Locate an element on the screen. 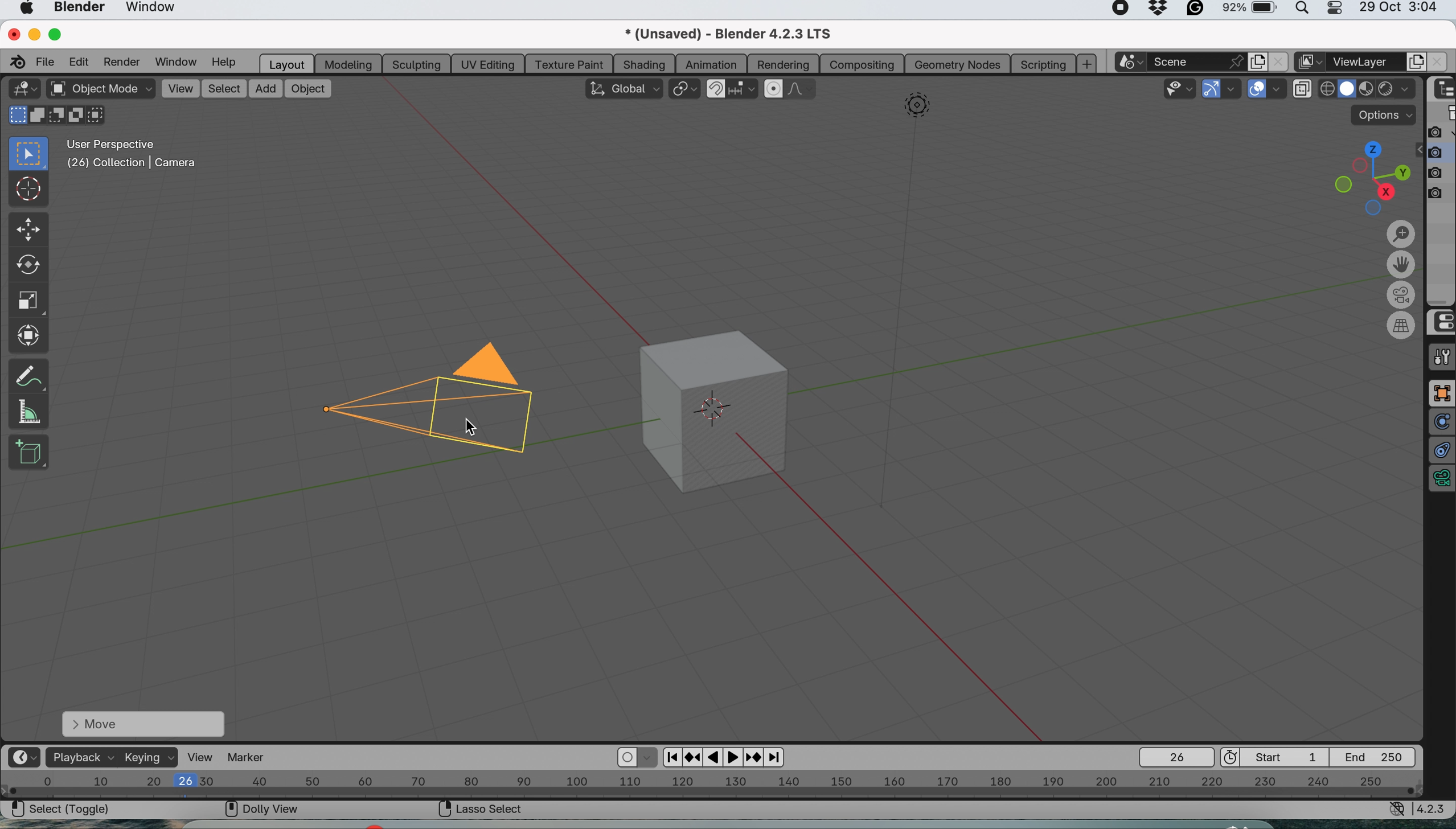 This screenshot has height=829, width=1456. playback is located at coordinates (80, 757).